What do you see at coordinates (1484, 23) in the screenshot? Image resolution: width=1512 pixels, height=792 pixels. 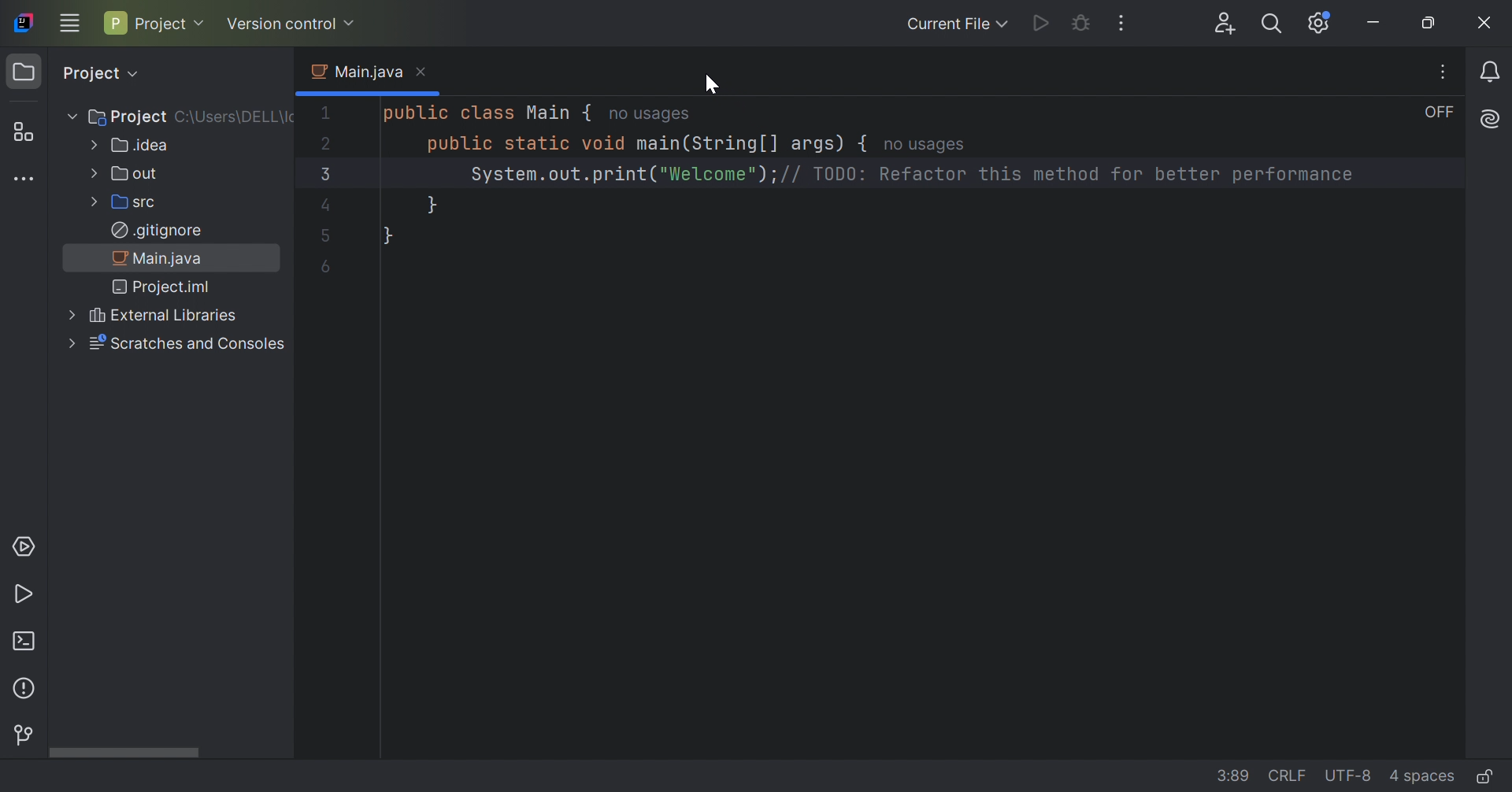 I see `Close` at bounding box center [1484, 23].